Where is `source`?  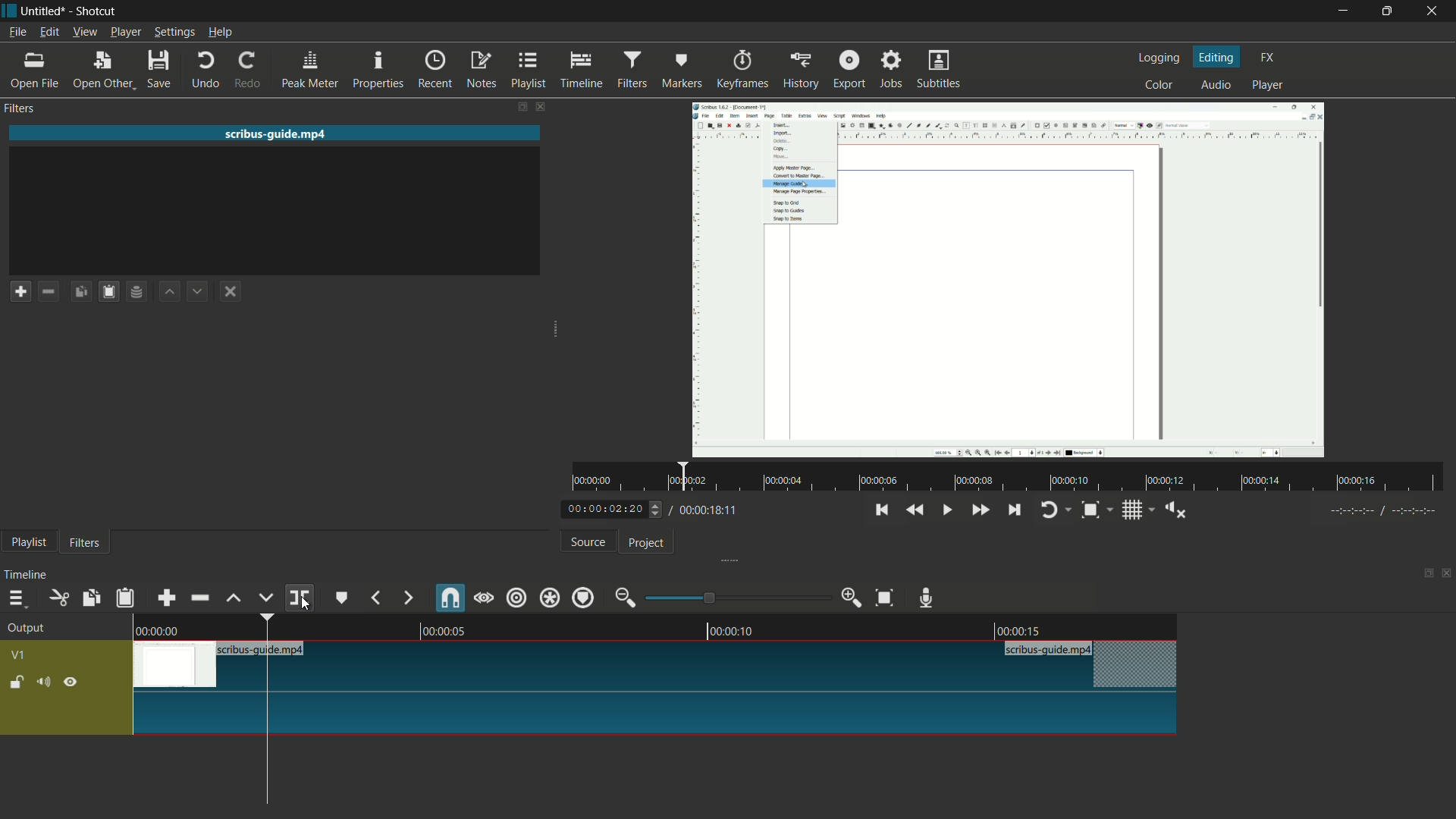 source is located at coordinates (588, 542).